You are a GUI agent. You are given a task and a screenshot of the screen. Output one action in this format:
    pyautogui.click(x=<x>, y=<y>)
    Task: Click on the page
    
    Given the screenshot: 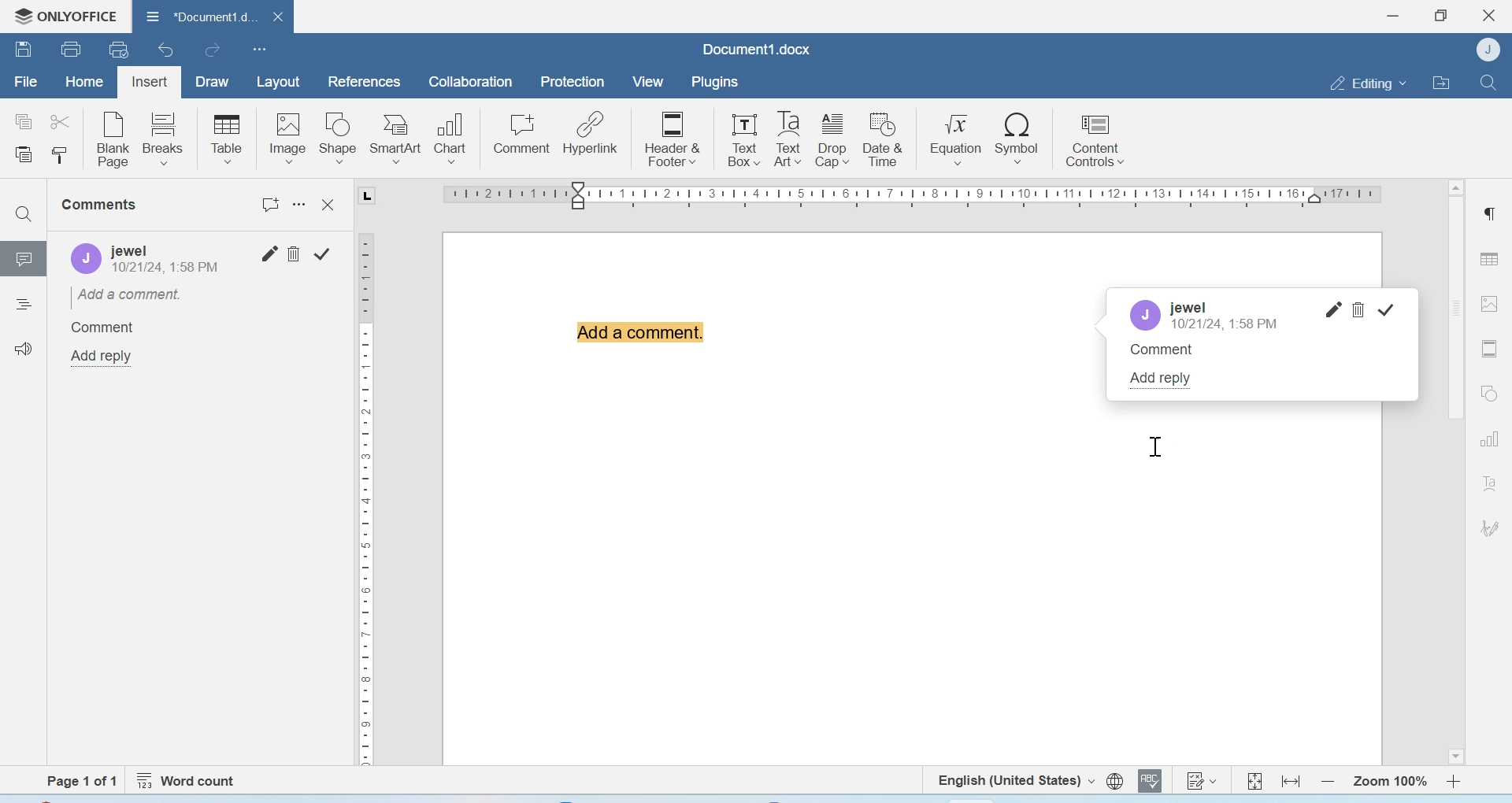 What is the action you would take?
    pyautogui.click(x=84, y=781)
    